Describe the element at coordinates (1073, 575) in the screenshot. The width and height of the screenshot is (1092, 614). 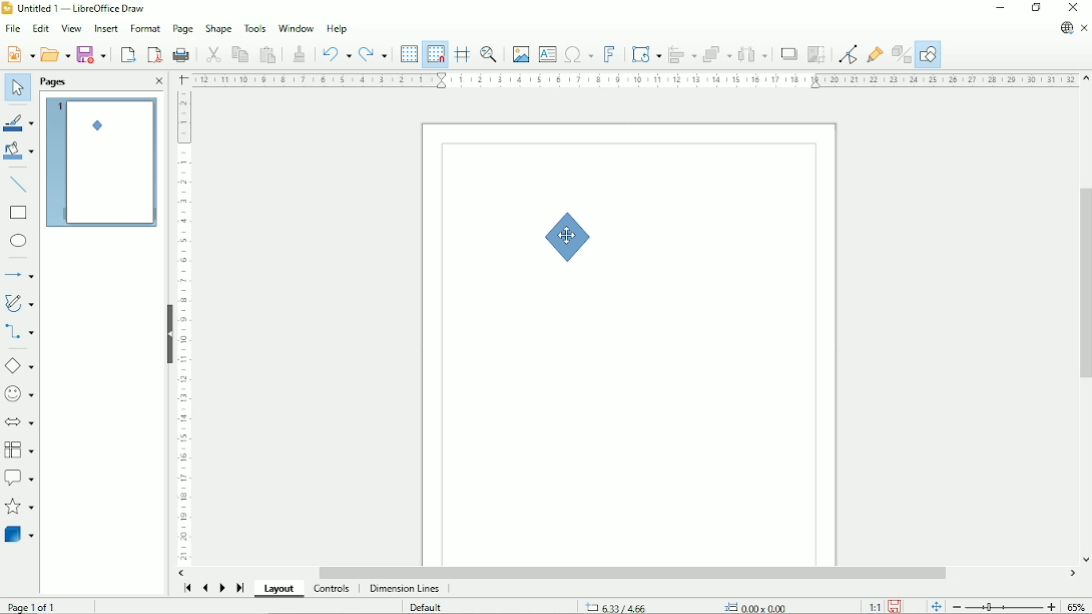
I see `Horizontal scroll button` at that location.